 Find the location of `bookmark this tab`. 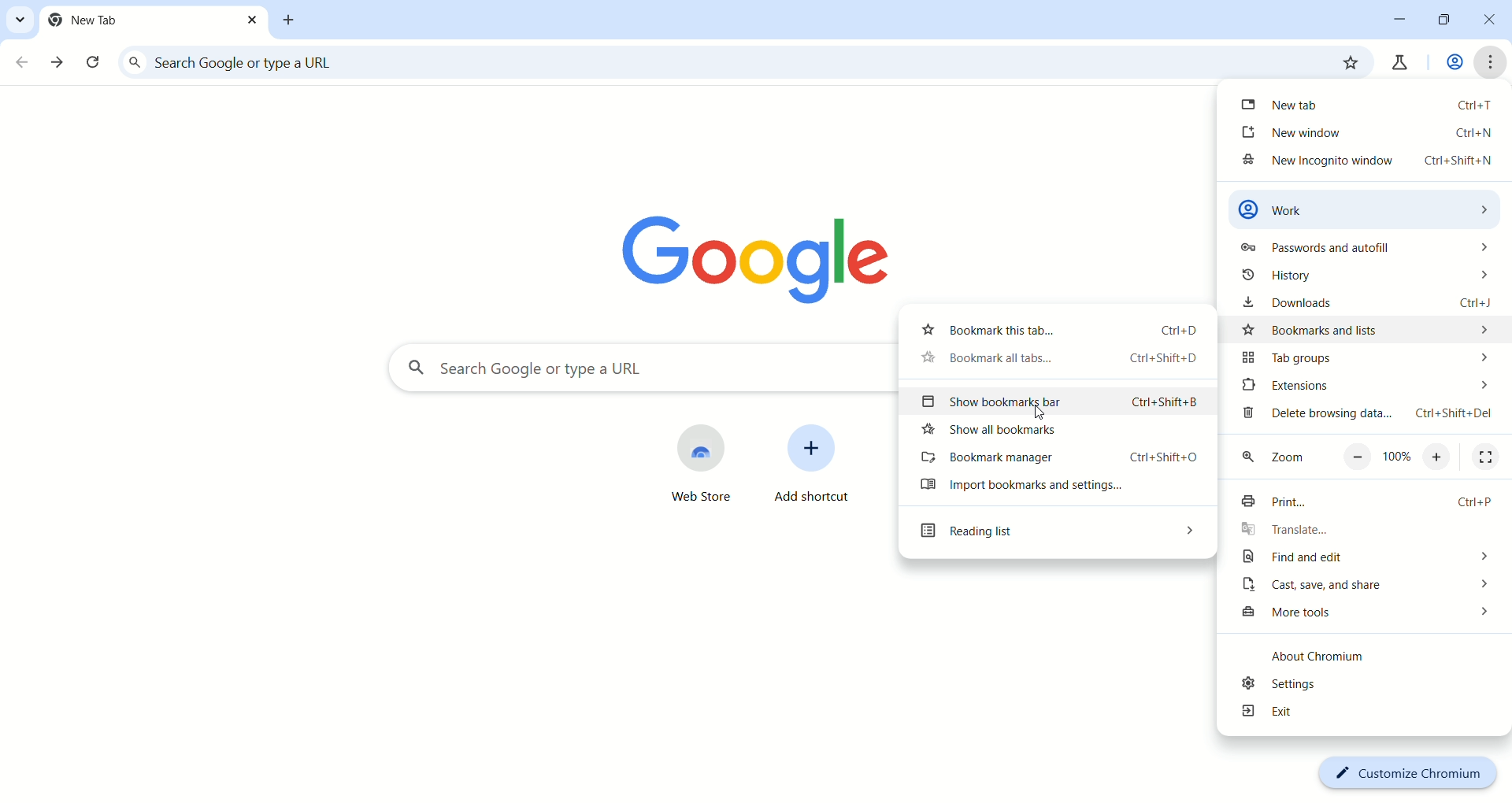

bookmark this tab is located at coordinates (1053, 328).